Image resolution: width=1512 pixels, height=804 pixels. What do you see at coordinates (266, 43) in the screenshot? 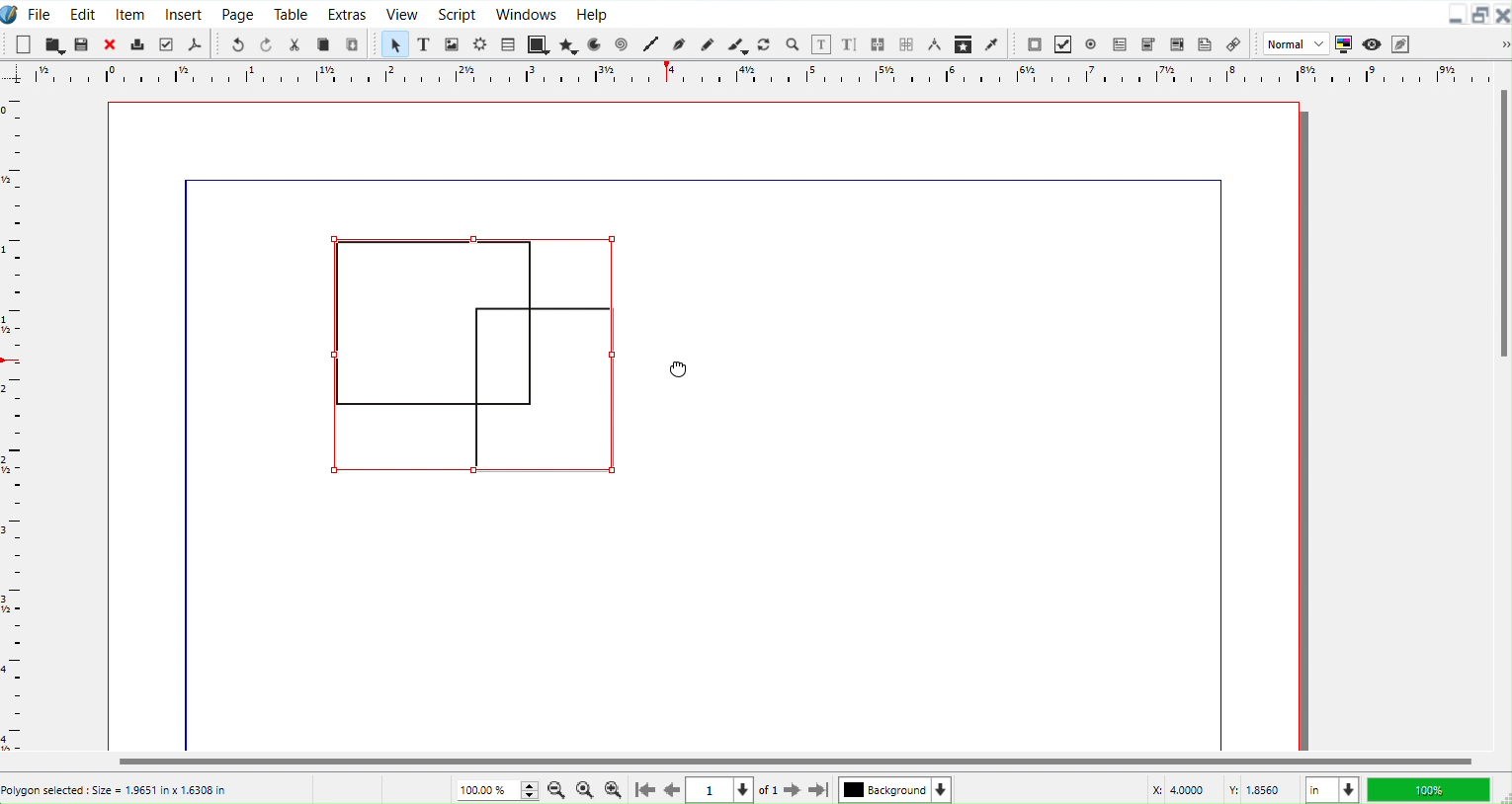
I see `Redo` at bounding box center [266, 43].